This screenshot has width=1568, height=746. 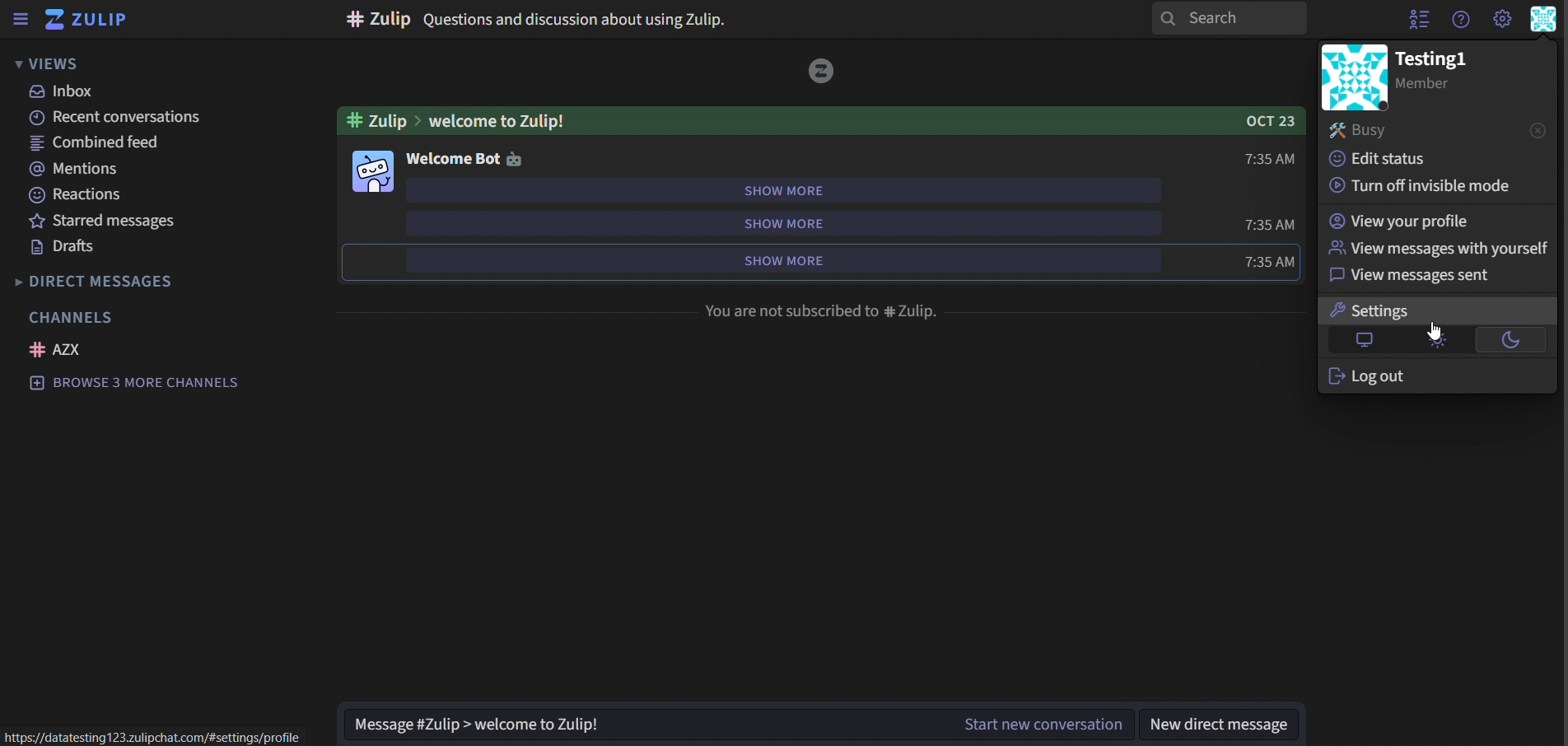 What do you see at coordinates (585, 18) in the screenshot?
I see `Questions and discussion about using Zulip` at bounding box center [585, 18].